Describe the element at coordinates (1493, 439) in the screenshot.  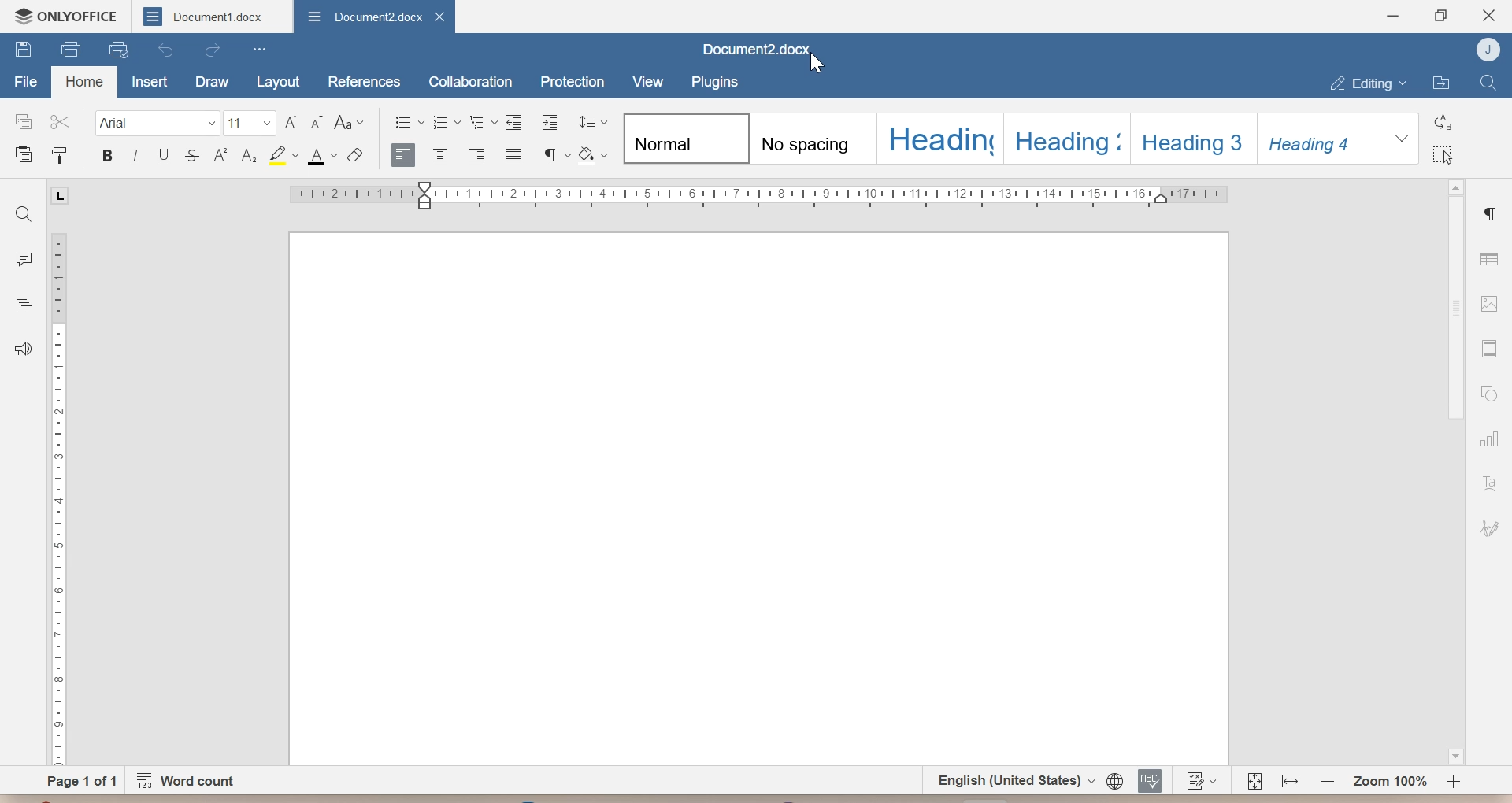
I see `charts` at that location.